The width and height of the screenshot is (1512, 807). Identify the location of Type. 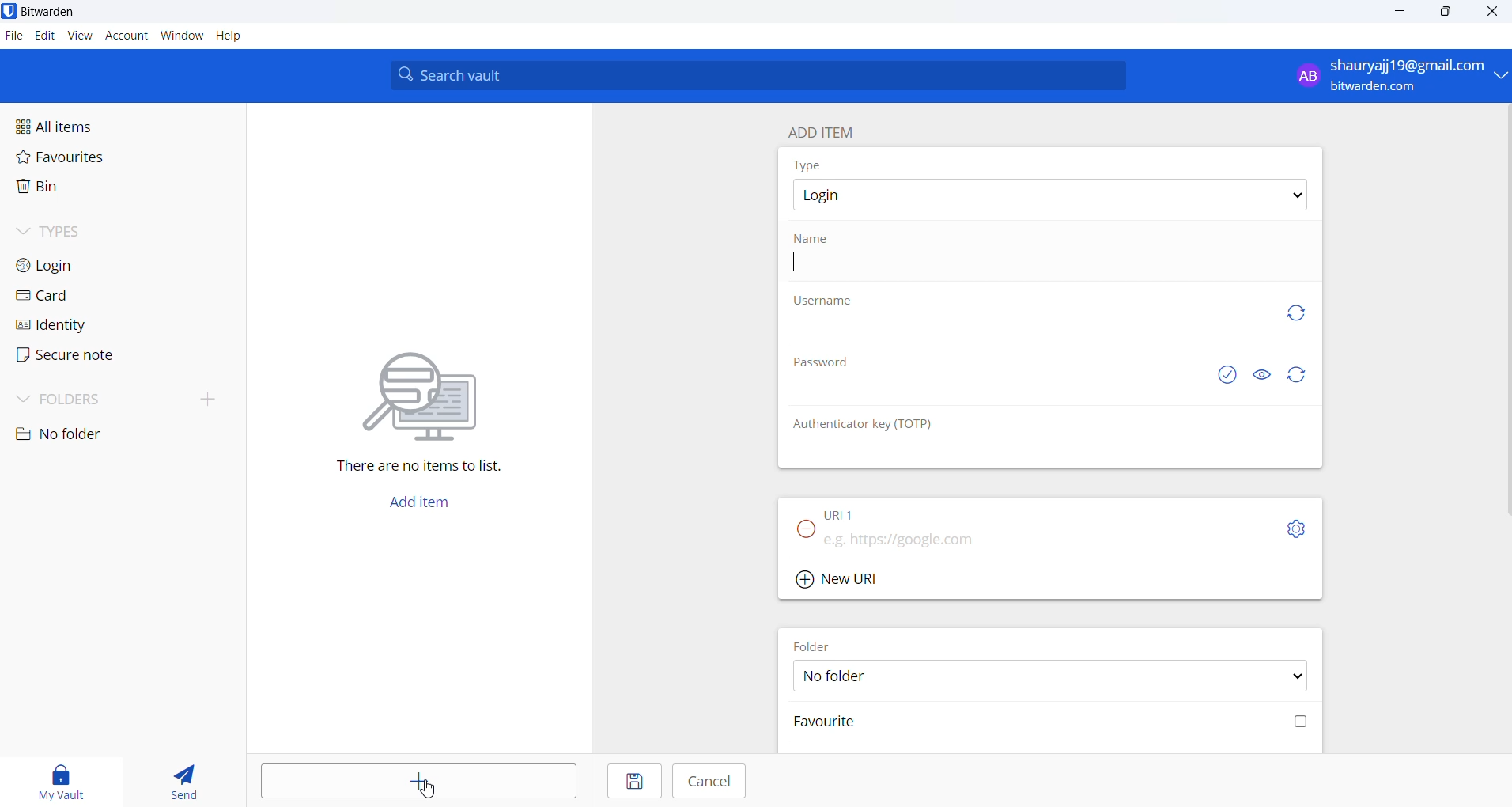
(811, 165).